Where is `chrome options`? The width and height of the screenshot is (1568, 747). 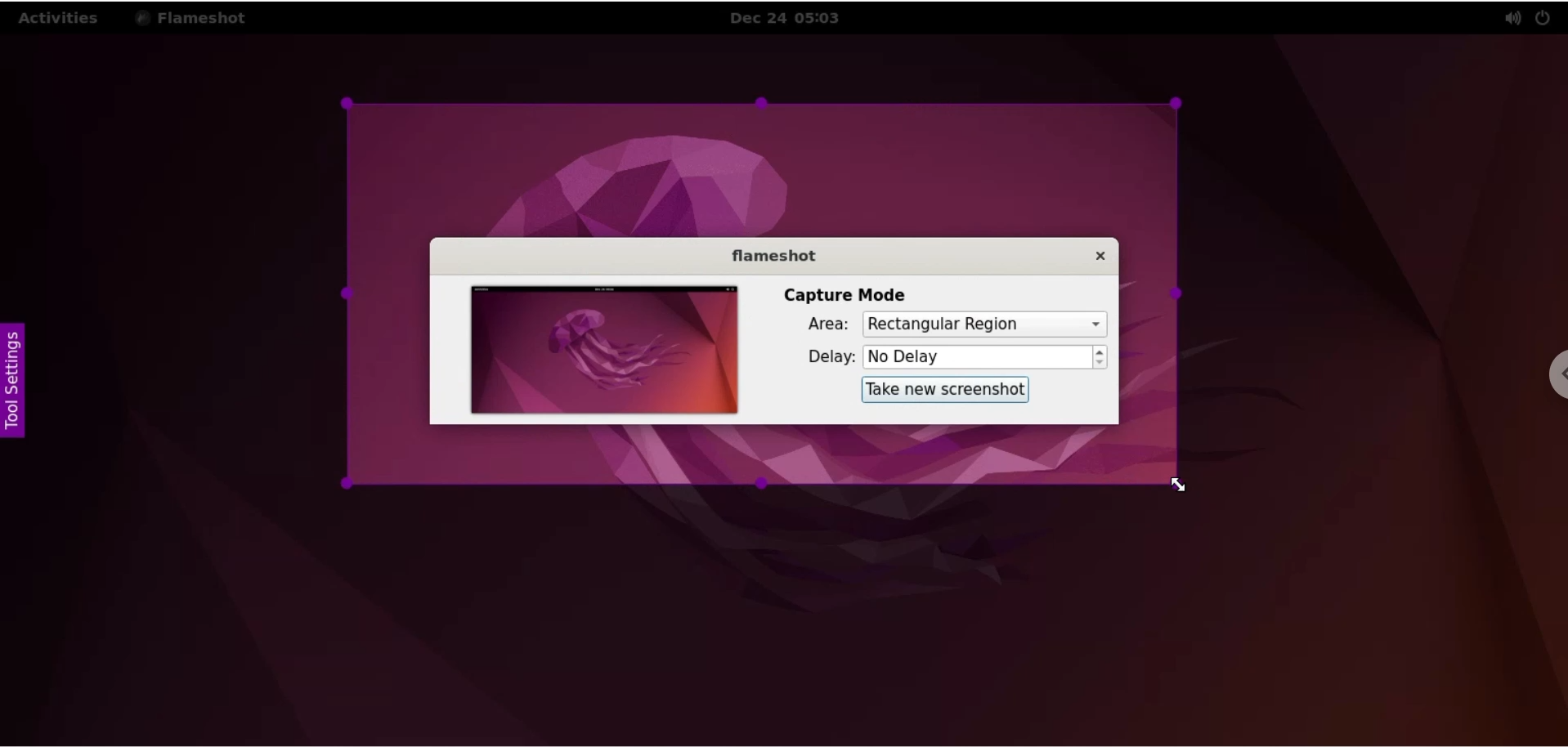 chrome options is located at coordinates (1555, 375).